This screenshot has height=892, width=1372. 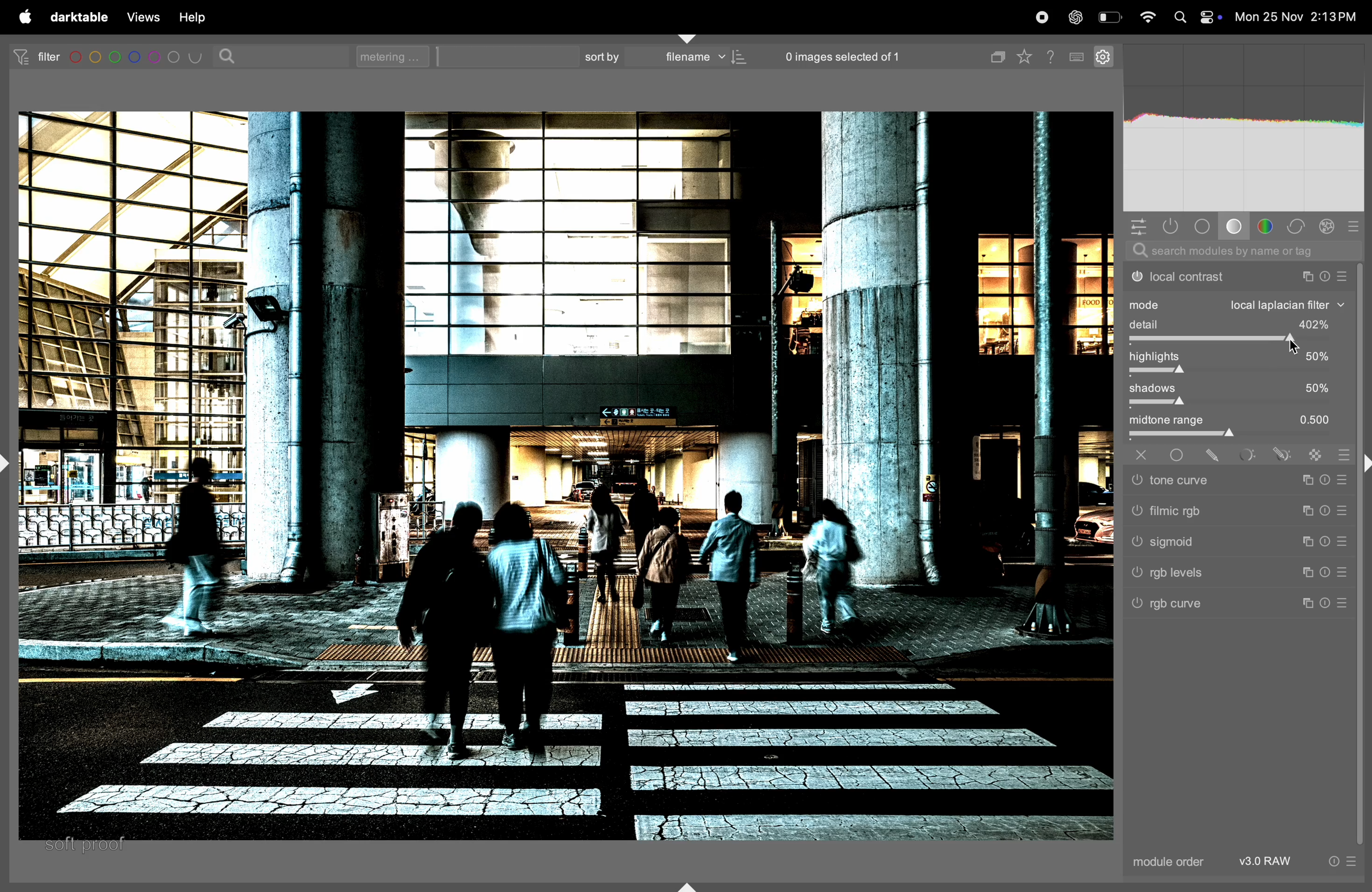 What do you see at coordinates (1281, 456) in the screenshot?
I see `drawn & parametric mask` at bounding box center [1281, 456].